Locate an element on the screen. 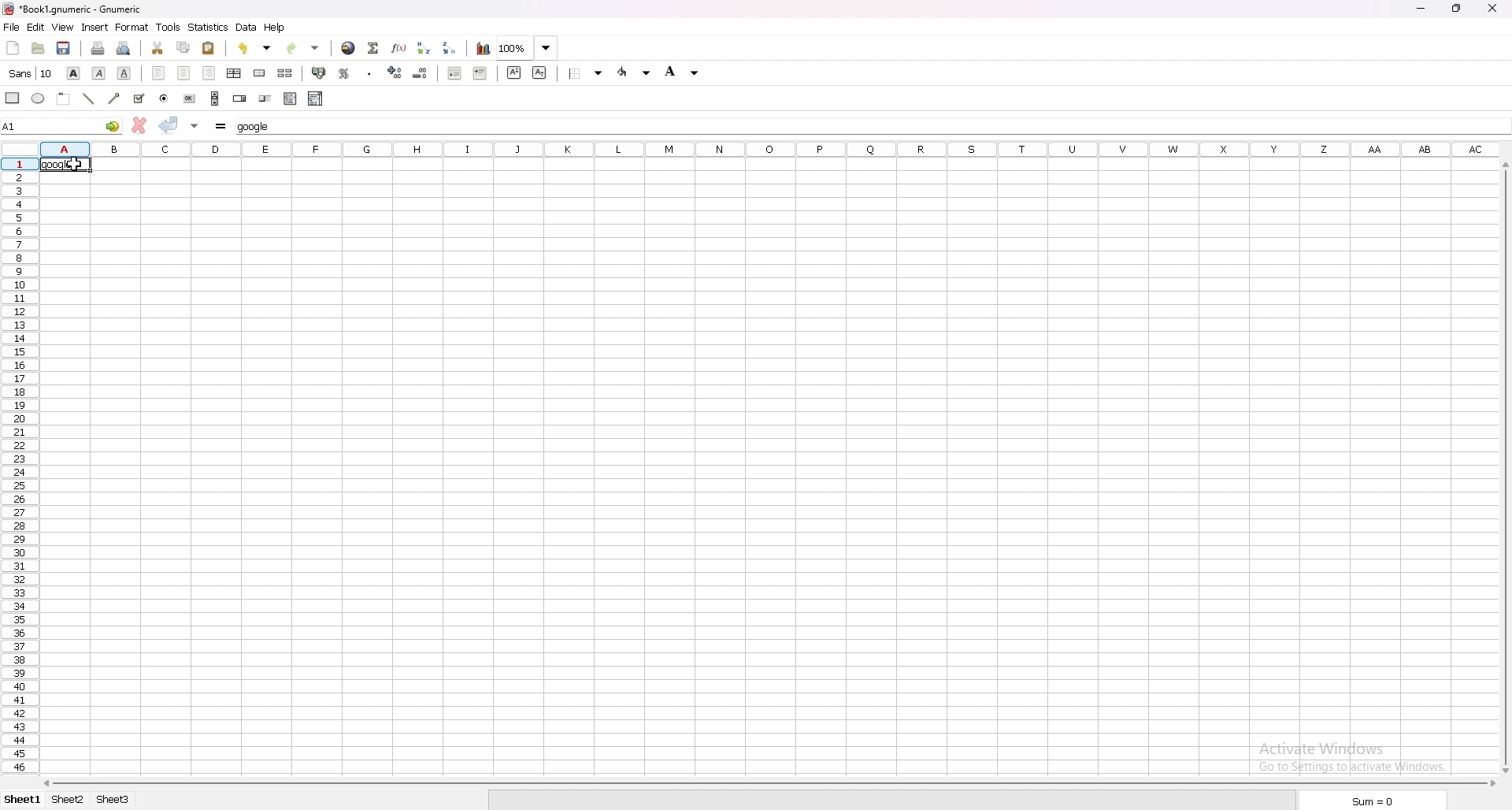  Active Windows Go to settings to activate windows is located at coordinates (1351, 752).